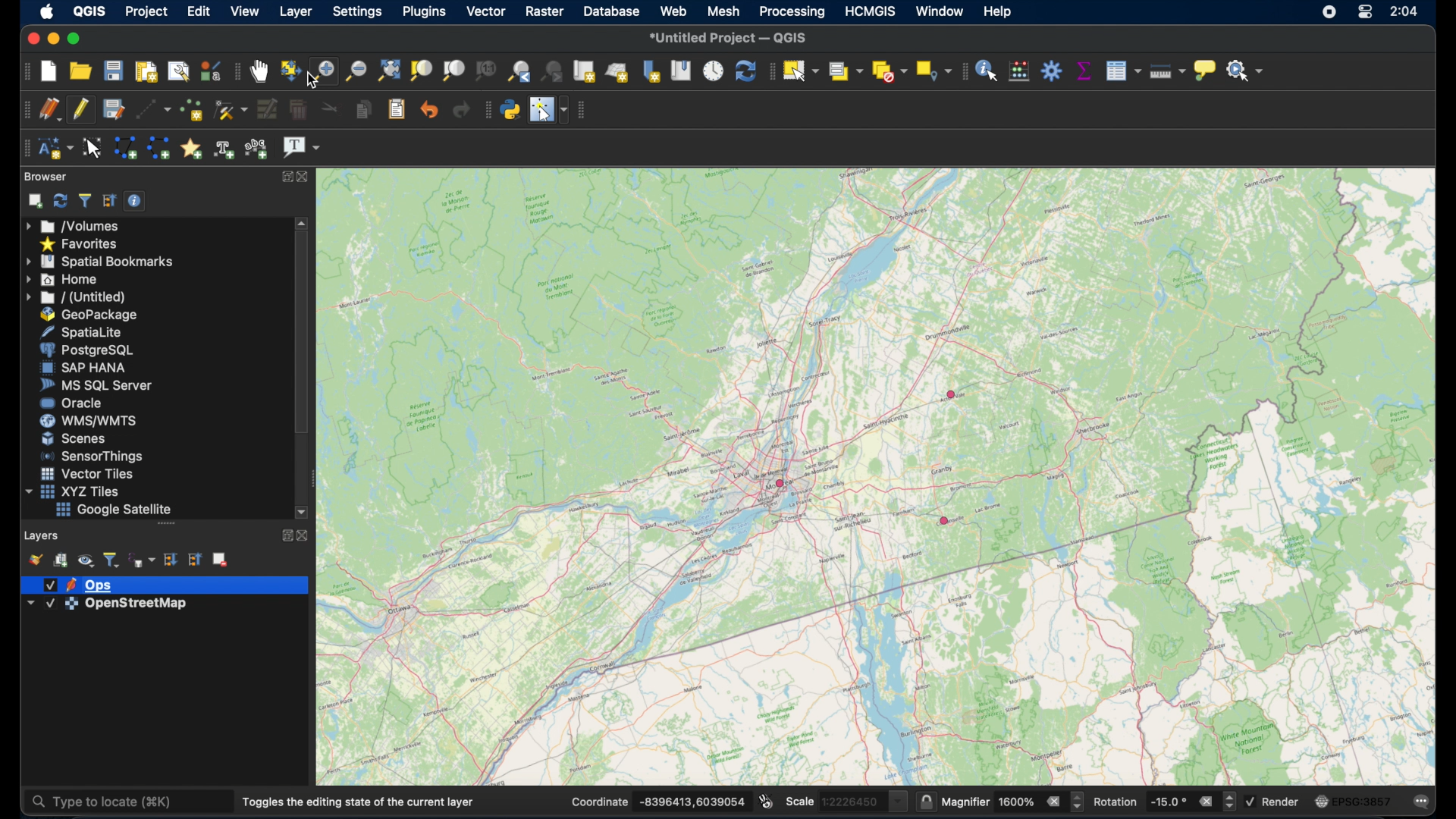 The height and width of the screenshot is (819, 1456). Describe the element at coordinates (964, 72) in the screenshot. I see `attributes toolbar` at that location.